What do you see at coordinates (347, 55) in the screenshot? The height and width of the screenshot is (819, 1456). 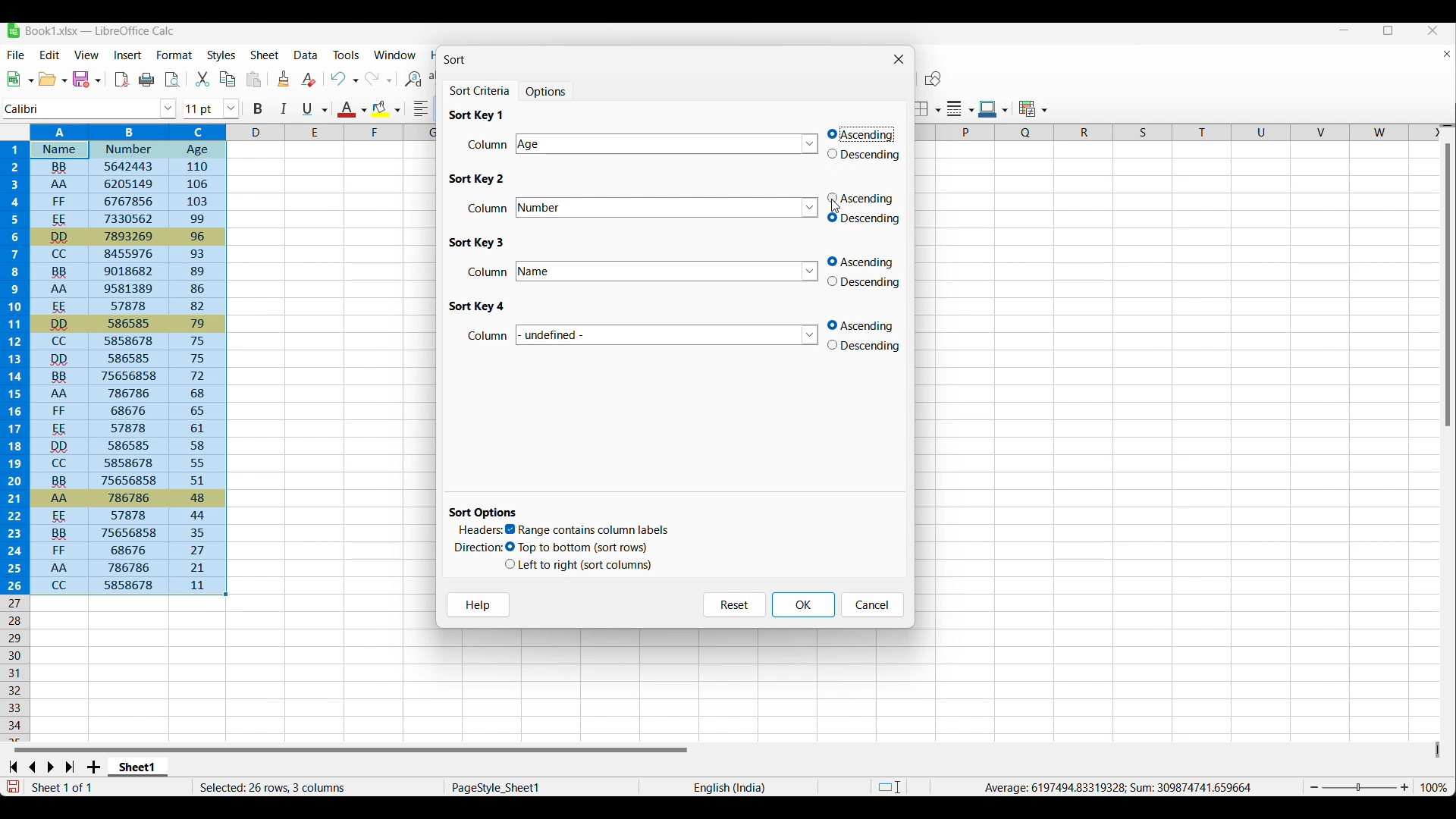 I see `Tools menu` at bounding box center [347, 55].